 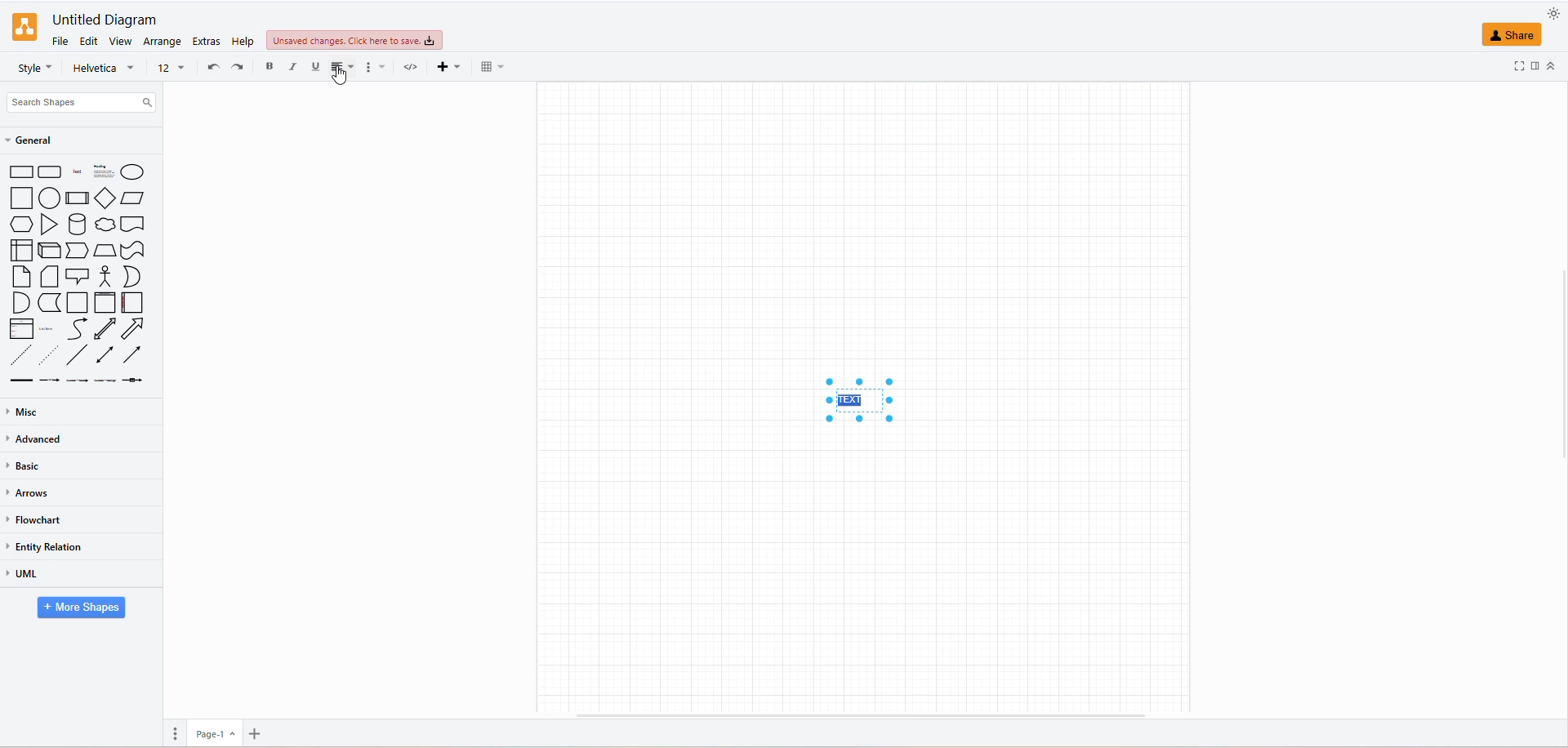 I want to click on underline, so click(x=315, y=65).